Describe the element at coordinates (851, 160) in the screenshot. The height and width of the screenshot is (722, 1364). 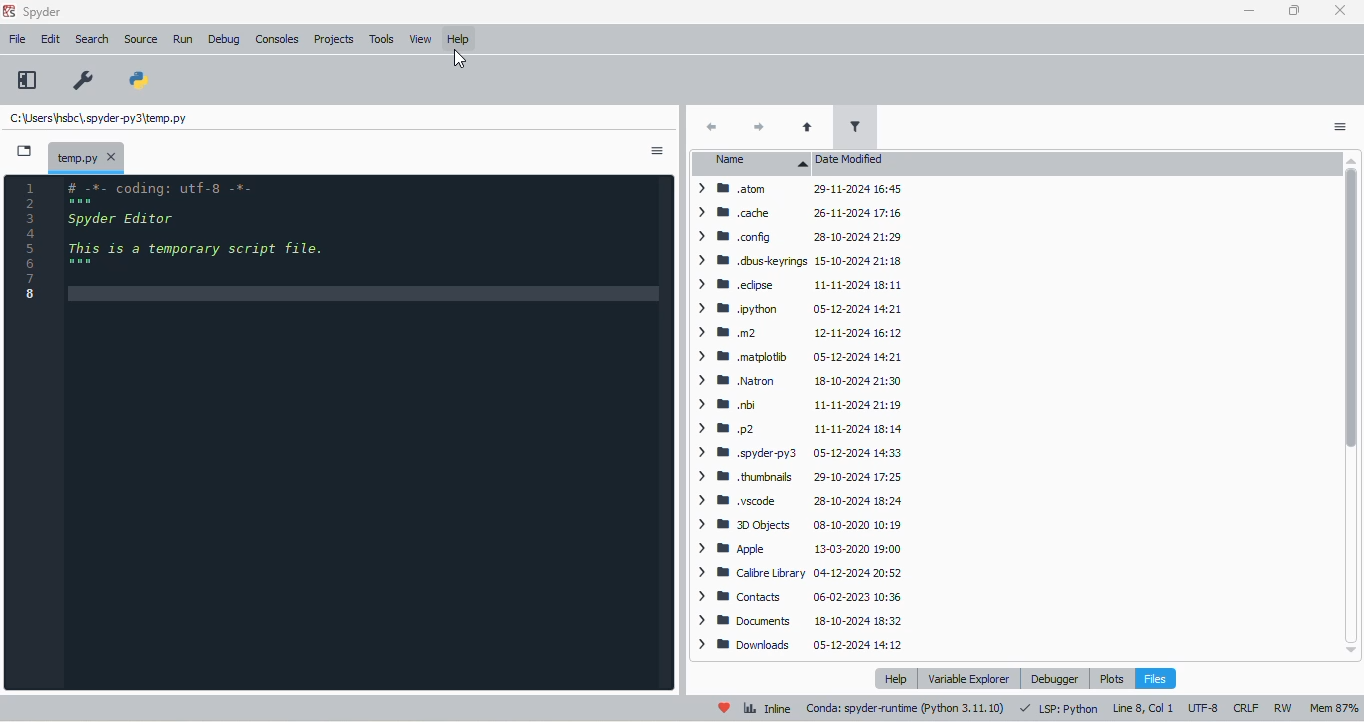
I see `date modified` at that location.